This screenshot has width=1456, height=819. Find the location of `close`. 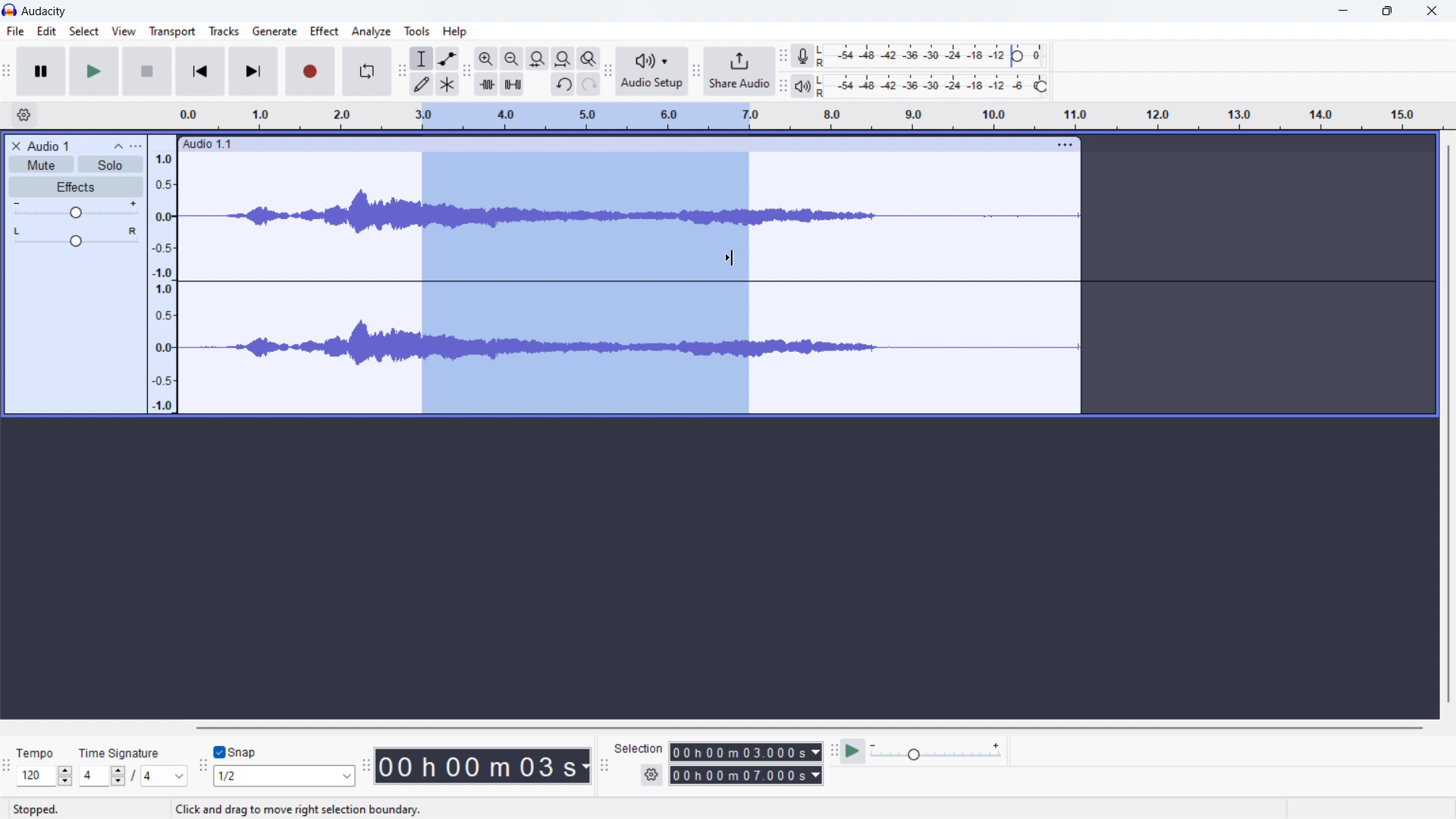

close is located at coordinates (1432, 11).